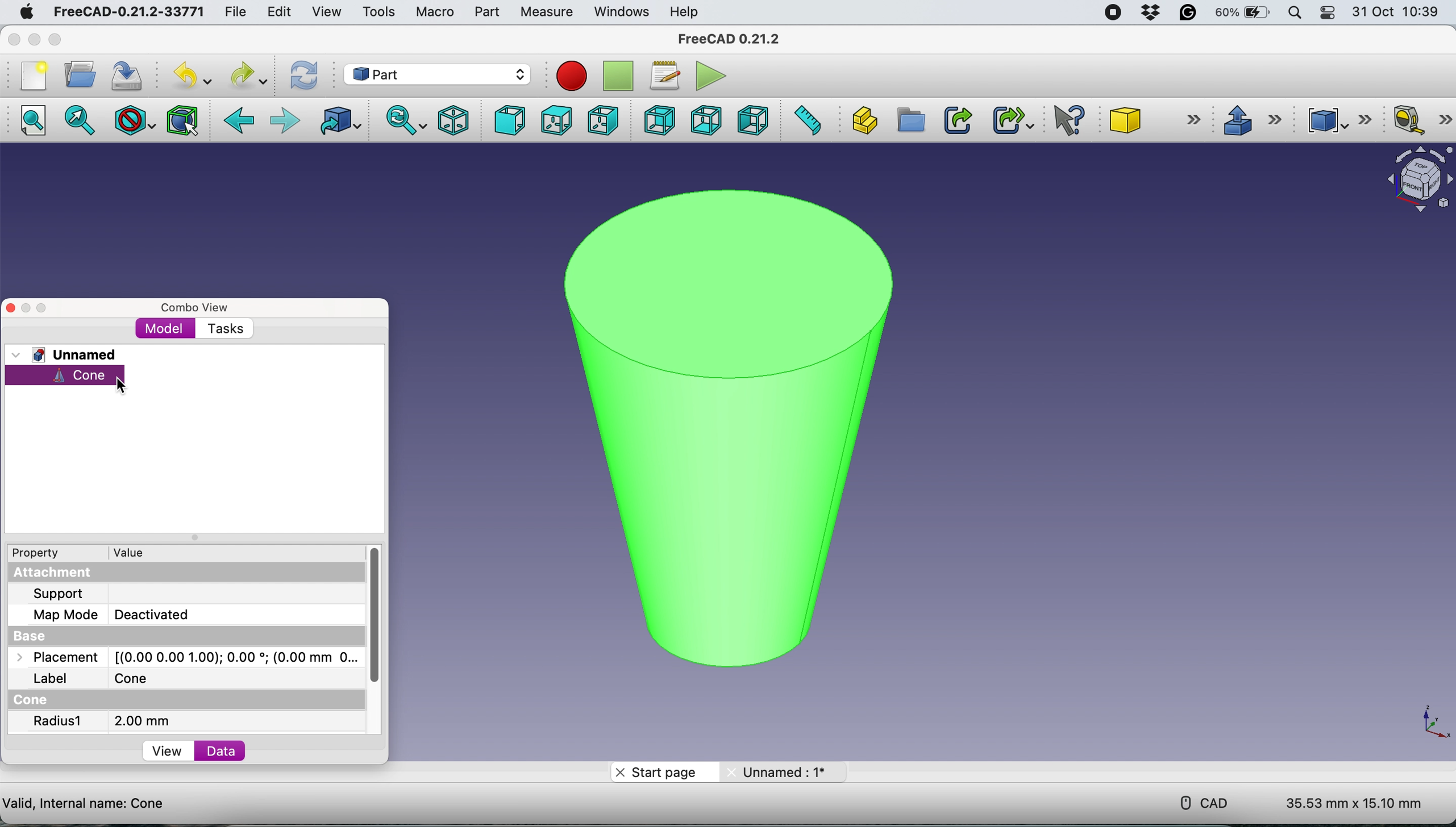 This screenshot has width=1456, height=827. I want to click on cone, so click(720, 420).